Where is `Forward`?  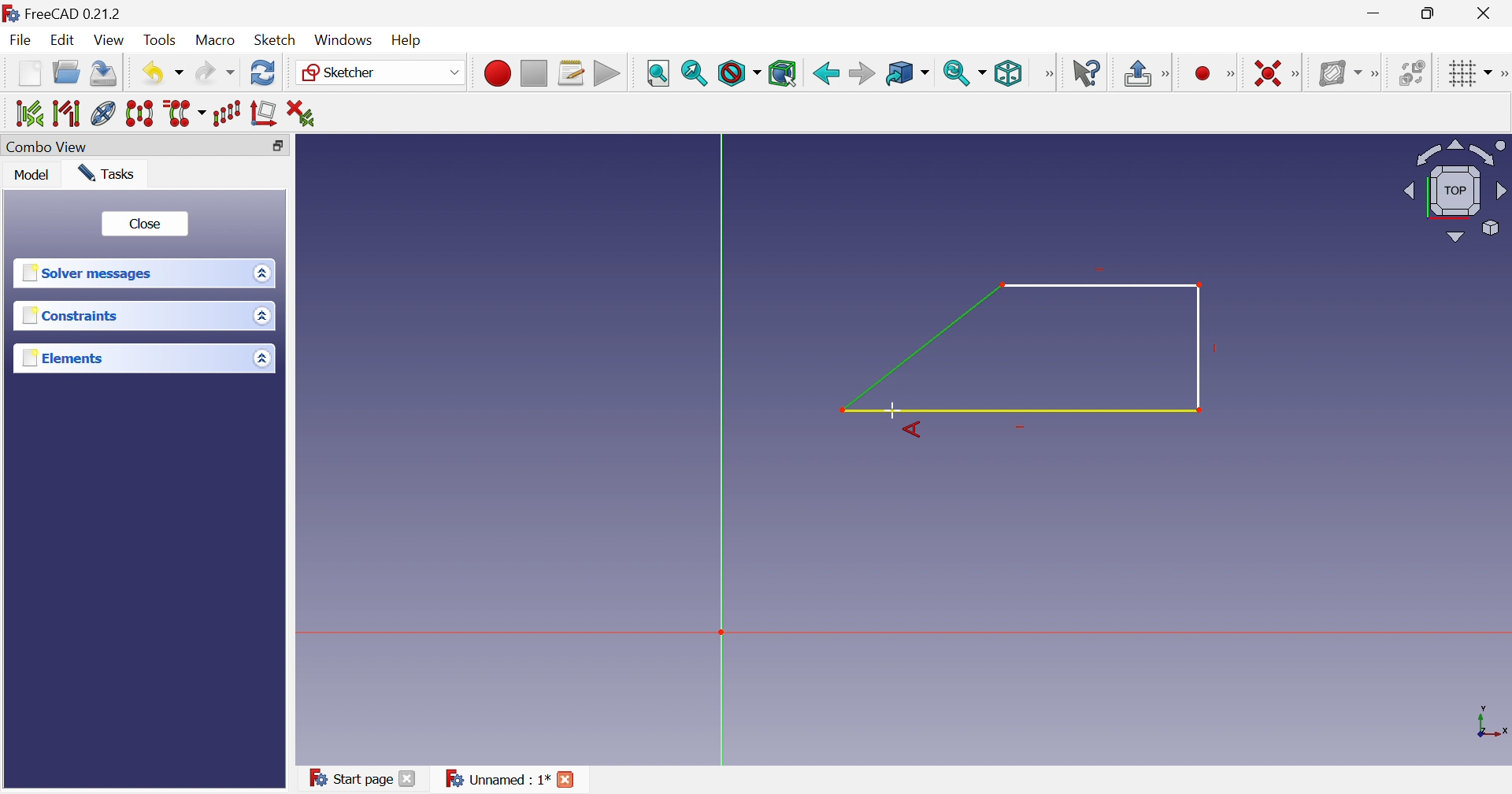
Forward is located at coordinates (862, 72).